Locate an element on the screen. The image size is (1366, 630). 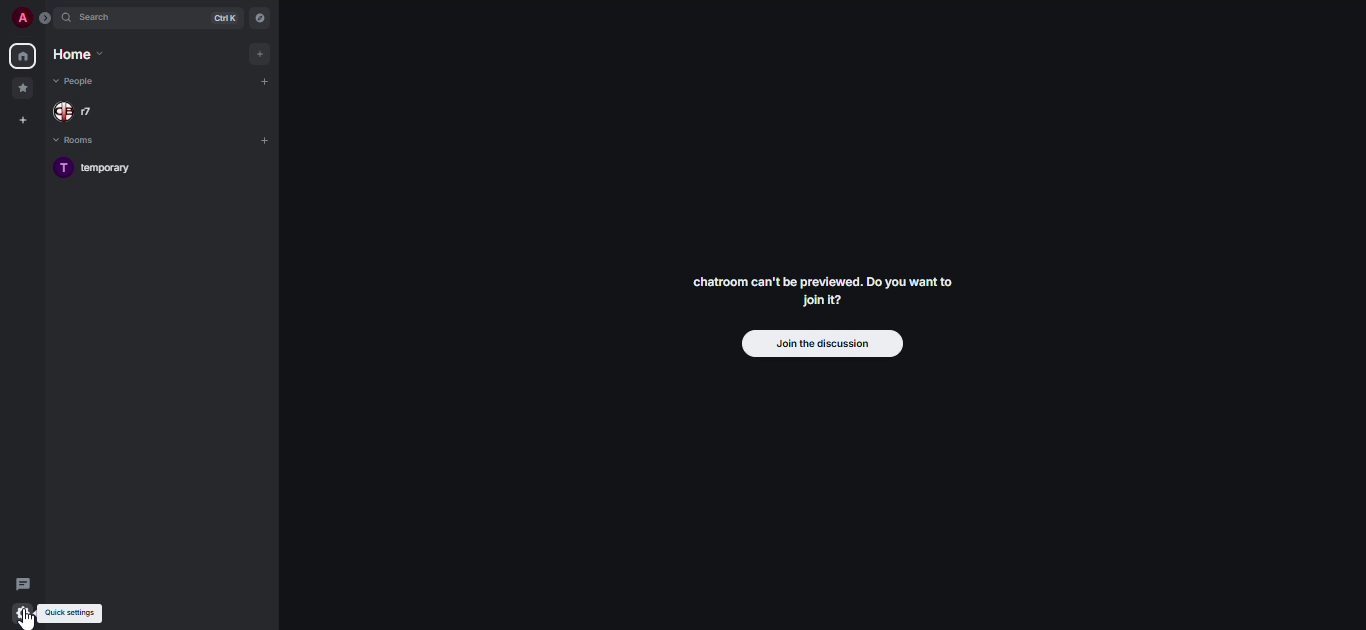
favorites is located at coordinates (23, 87).